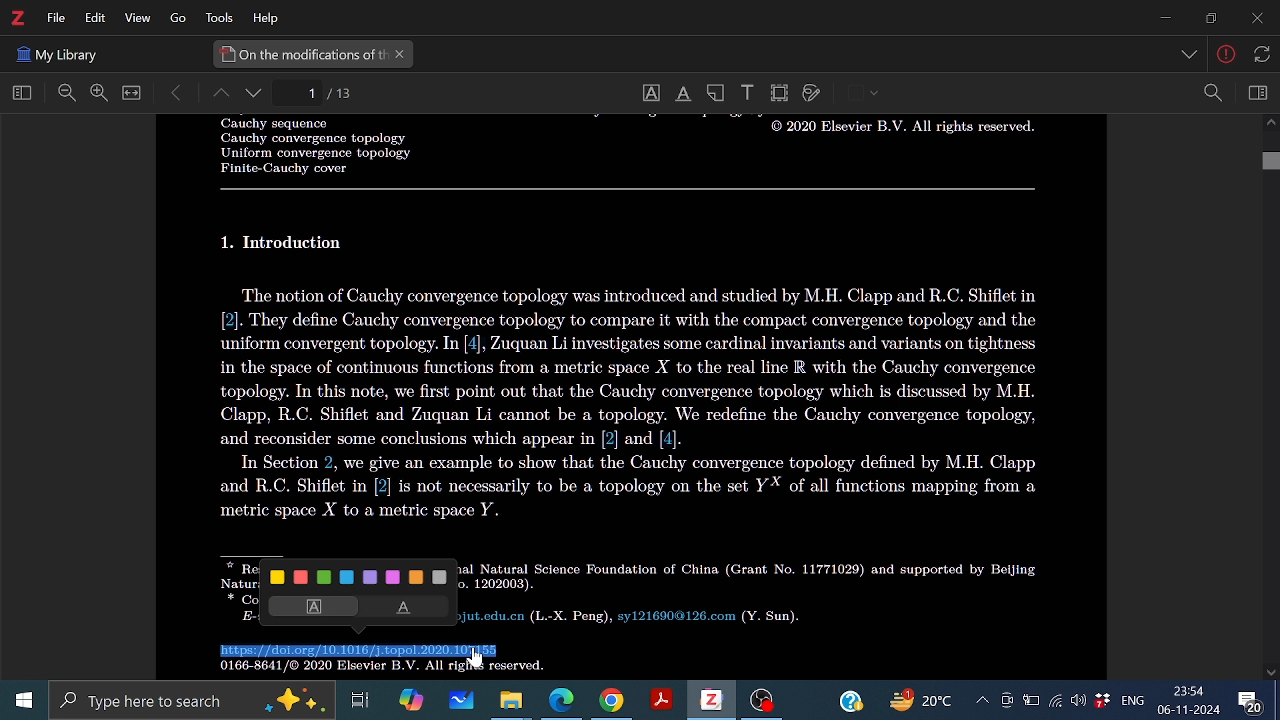 This screenshot has height=720, width=1280. I want to click on , so click(172, 19).